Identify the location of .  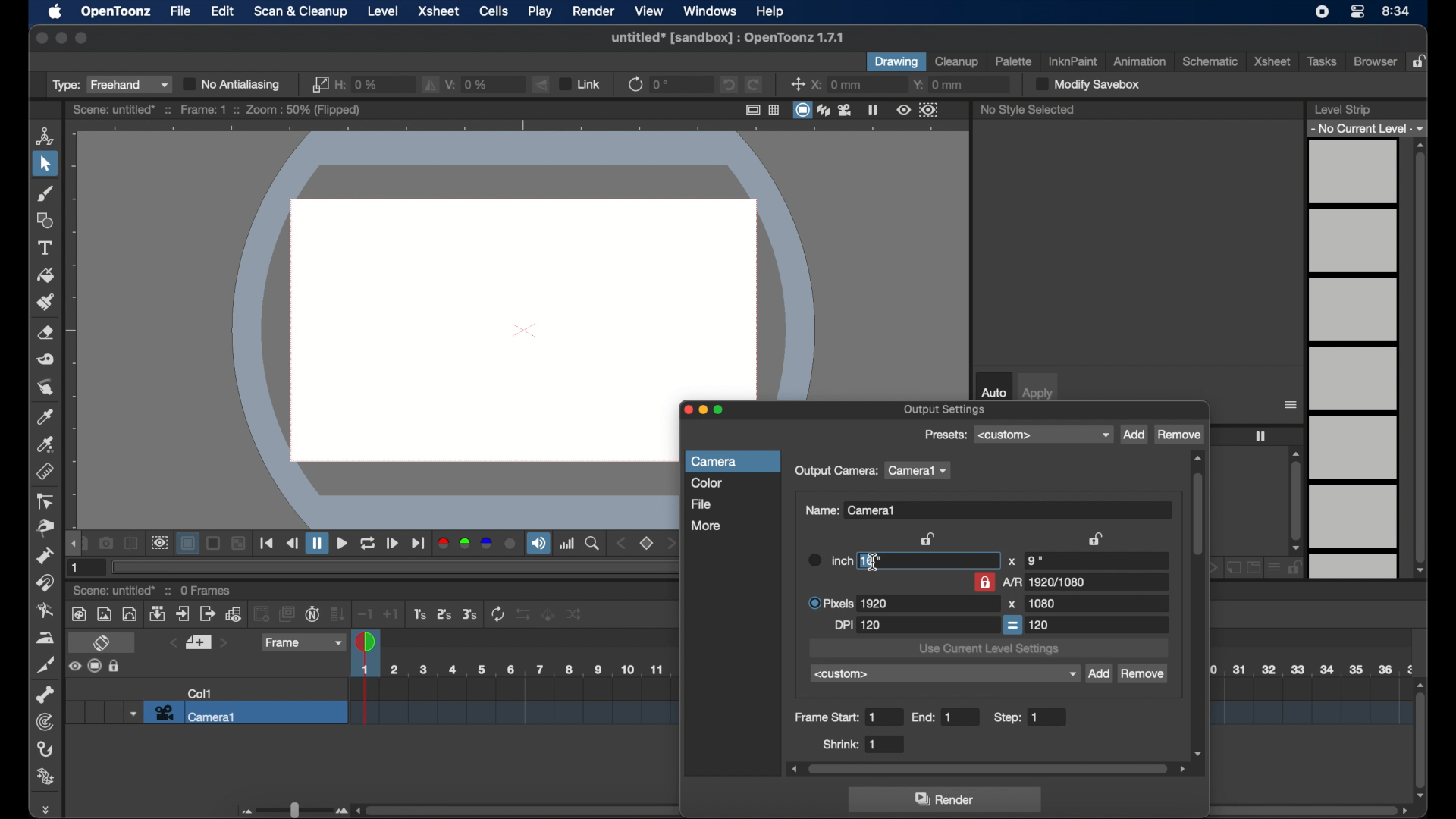
(337, 615).